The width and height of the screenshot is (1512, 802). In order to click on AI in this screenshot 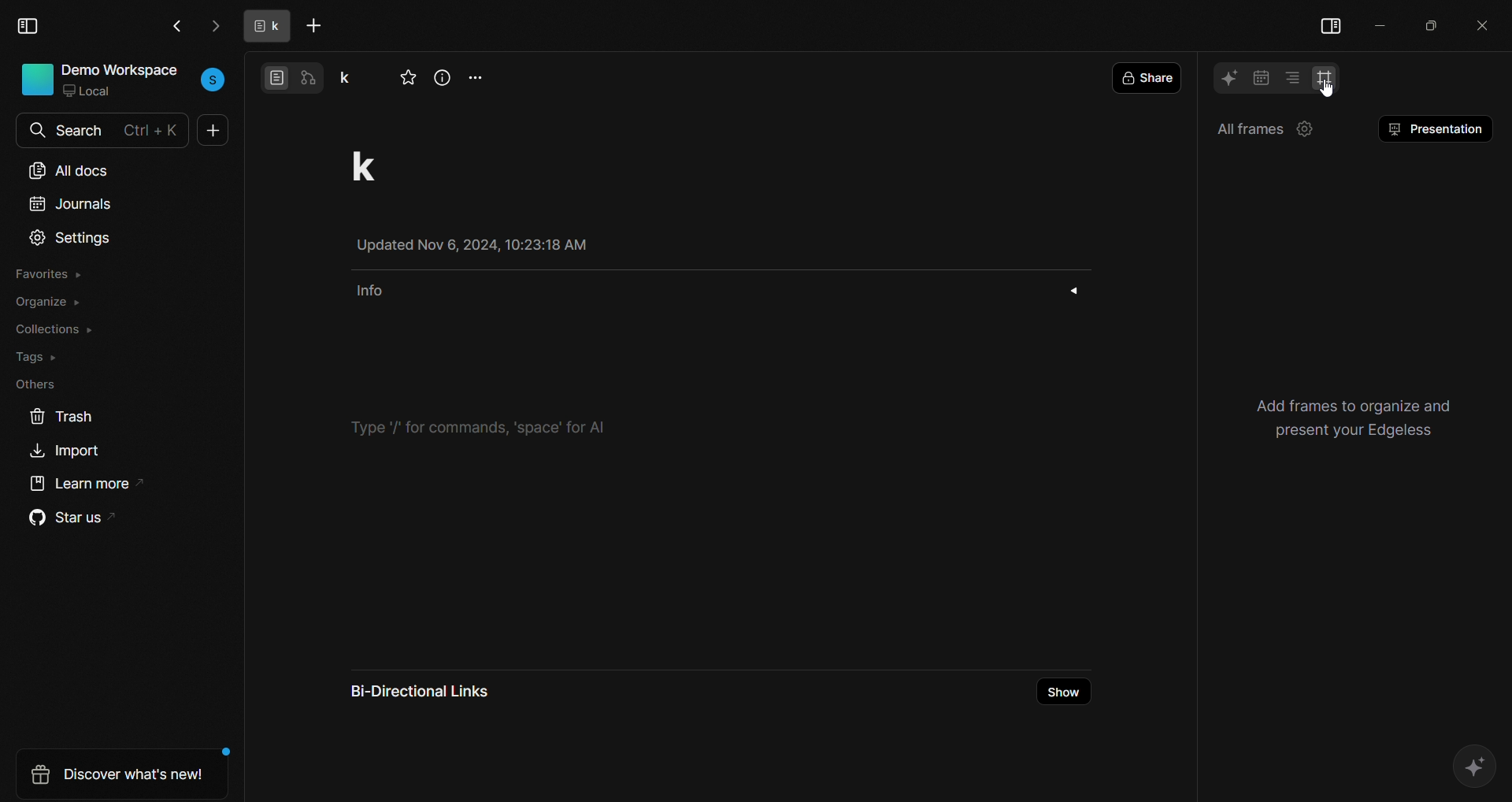, I will do `click(1228, 76)`.